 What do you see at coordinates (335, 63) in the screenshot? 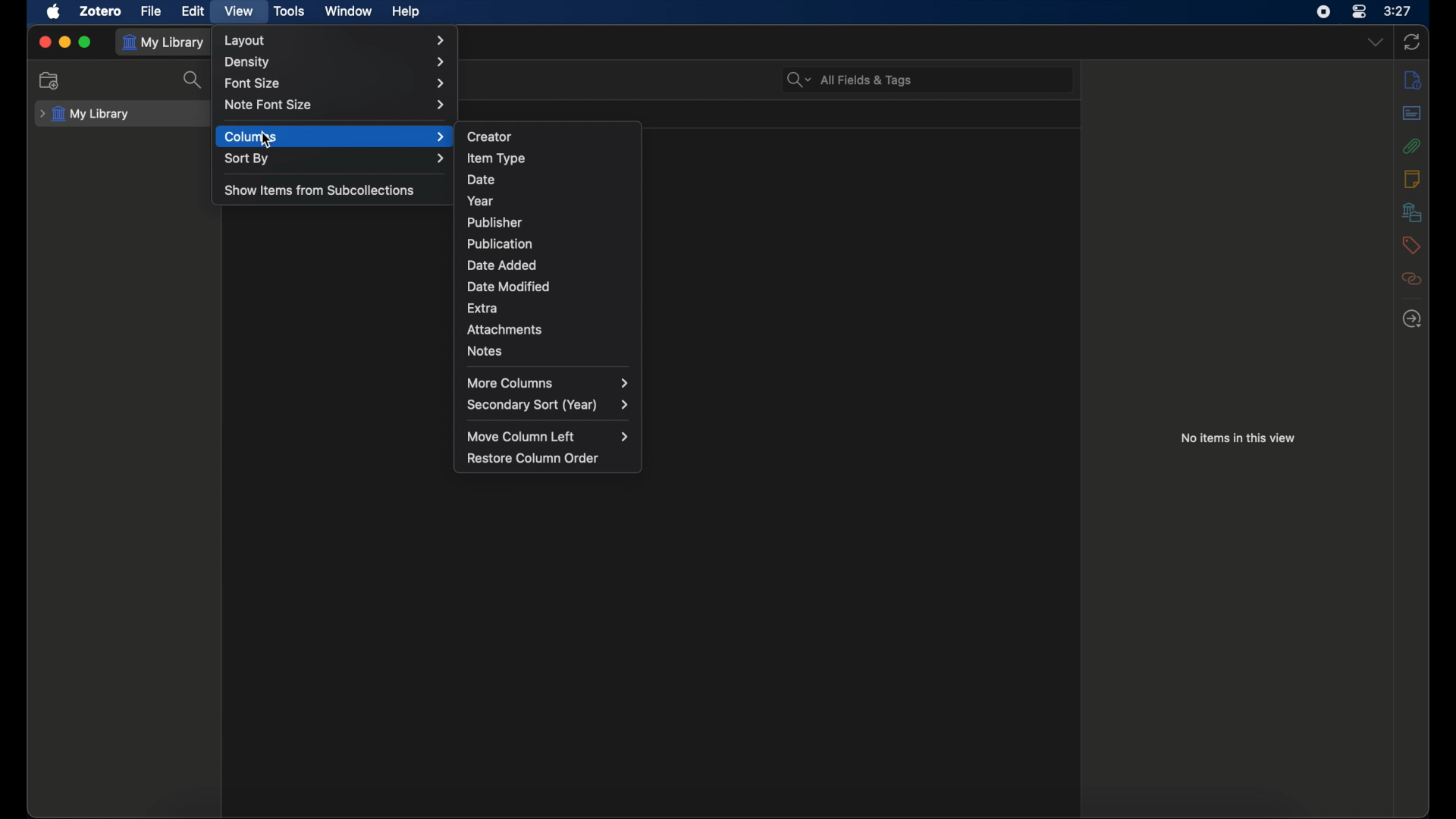
I see `density` at bounding box center [335, 63].